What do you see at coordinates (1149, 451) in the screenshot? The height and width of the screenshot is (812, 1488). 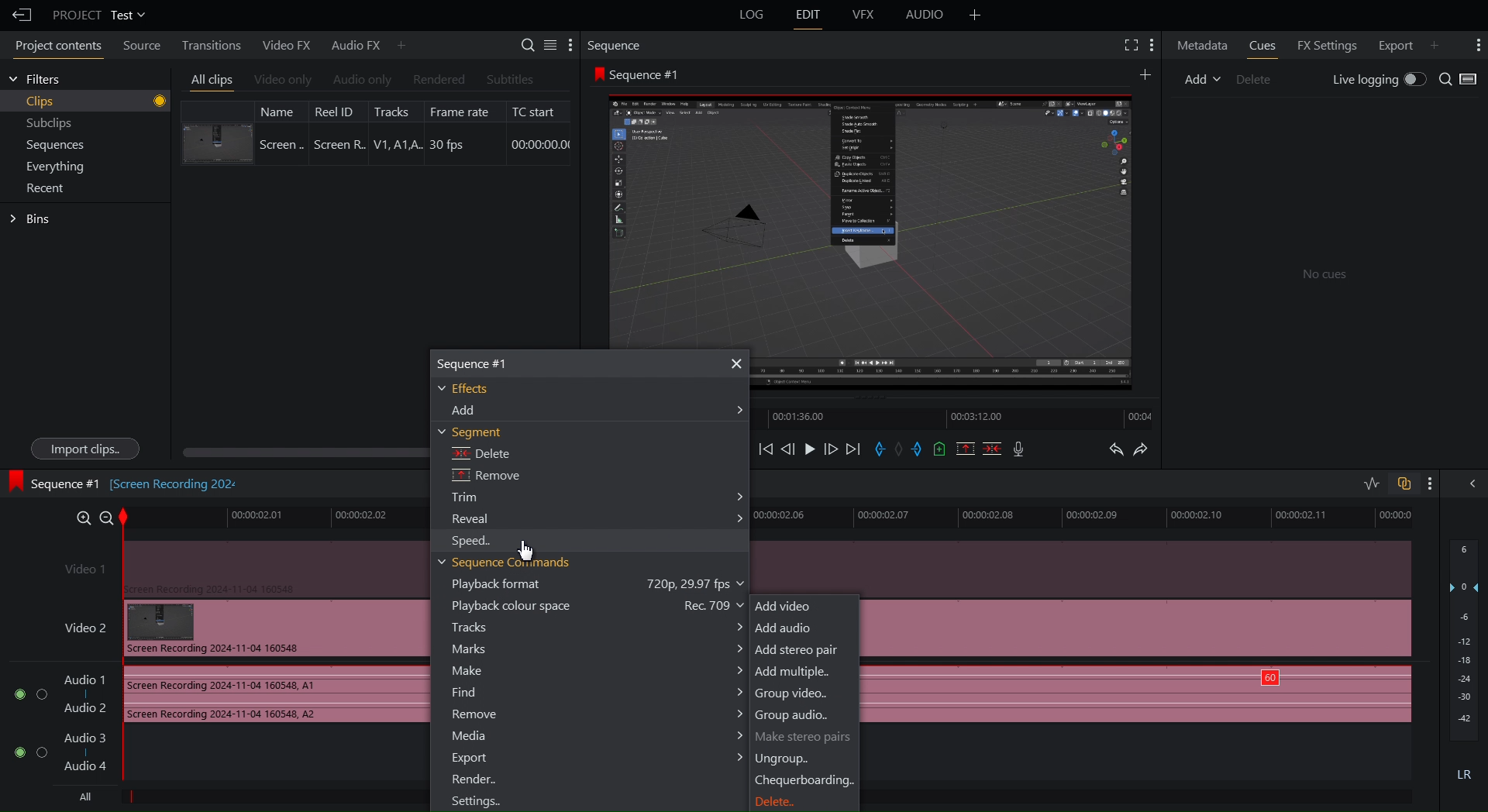 I see `Redo` at bounding box center [1149, 451].